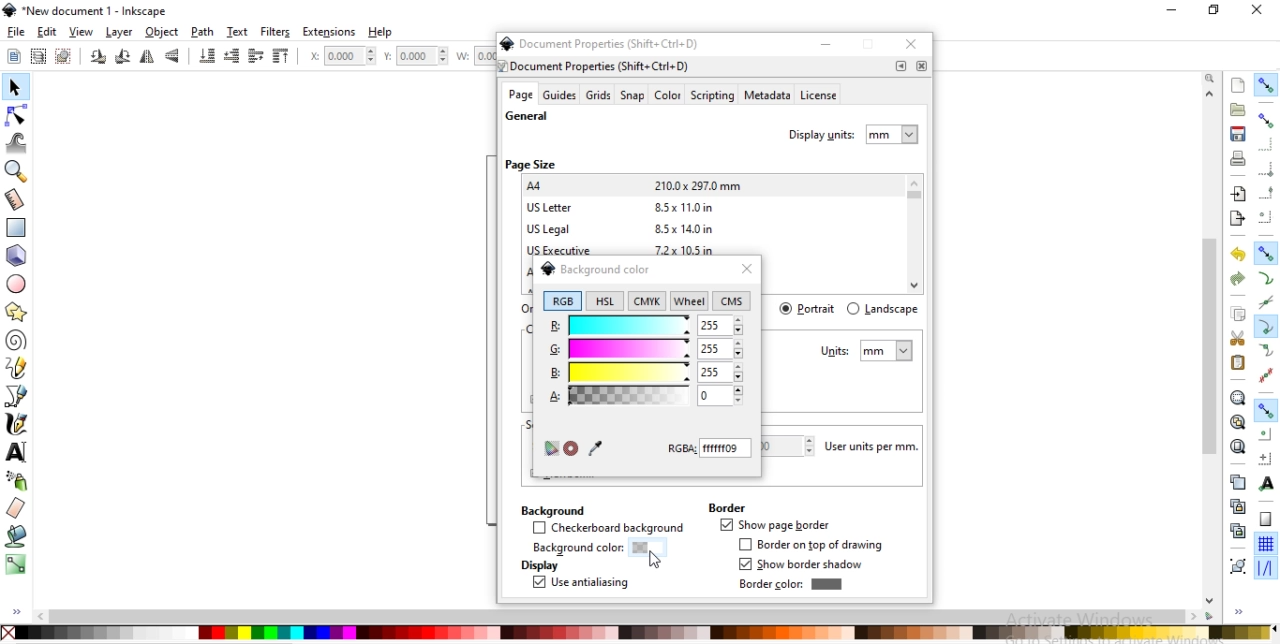 This screenshot has width=1280, height=644. What do you see at coordinates (1265, 545) in the screenshot?
I see `snap to grid` at bounding box center [1265, 545].